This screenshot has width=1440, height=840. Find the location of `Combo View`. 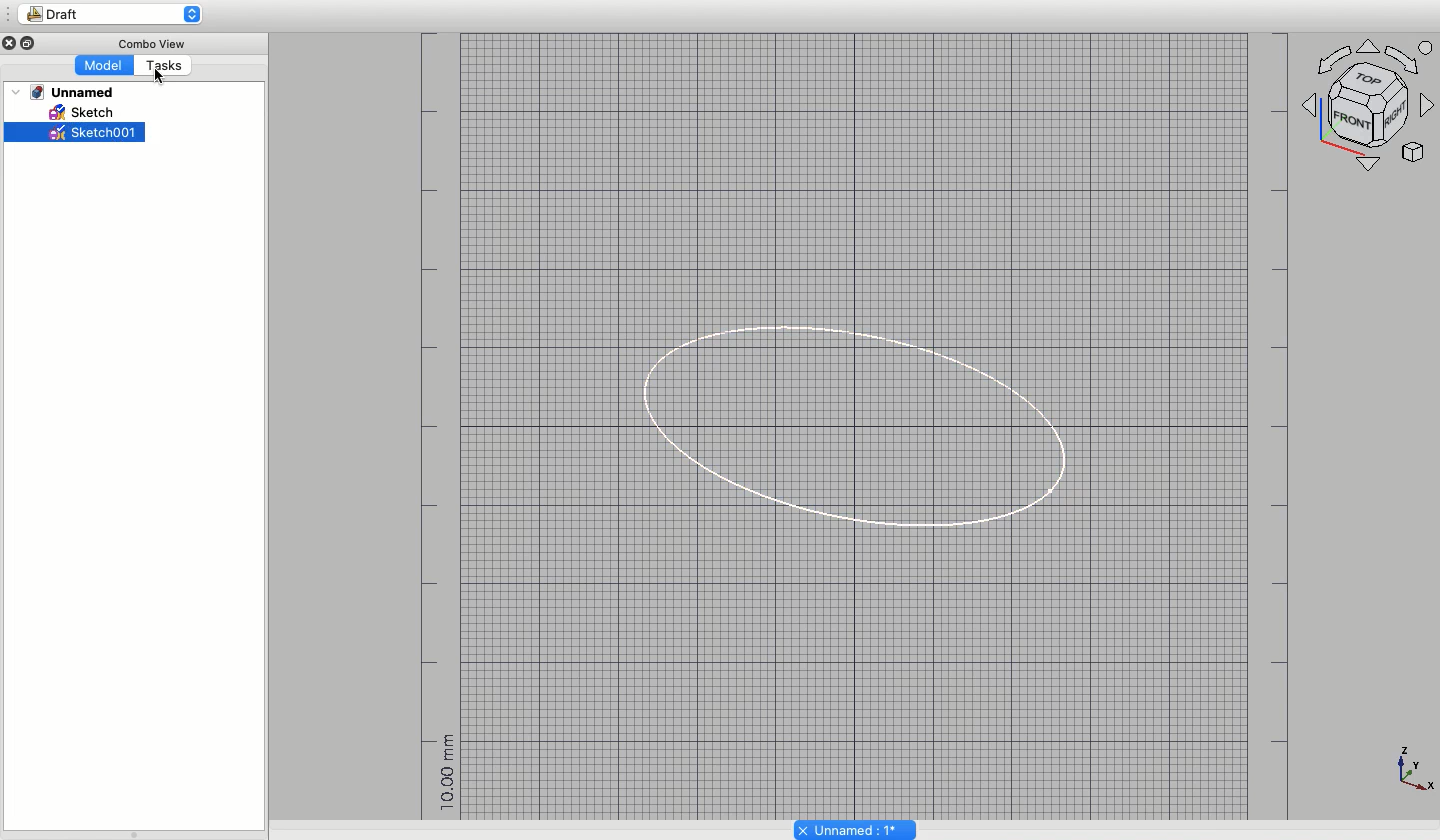

Combo View is located at coordinates (149, 41).